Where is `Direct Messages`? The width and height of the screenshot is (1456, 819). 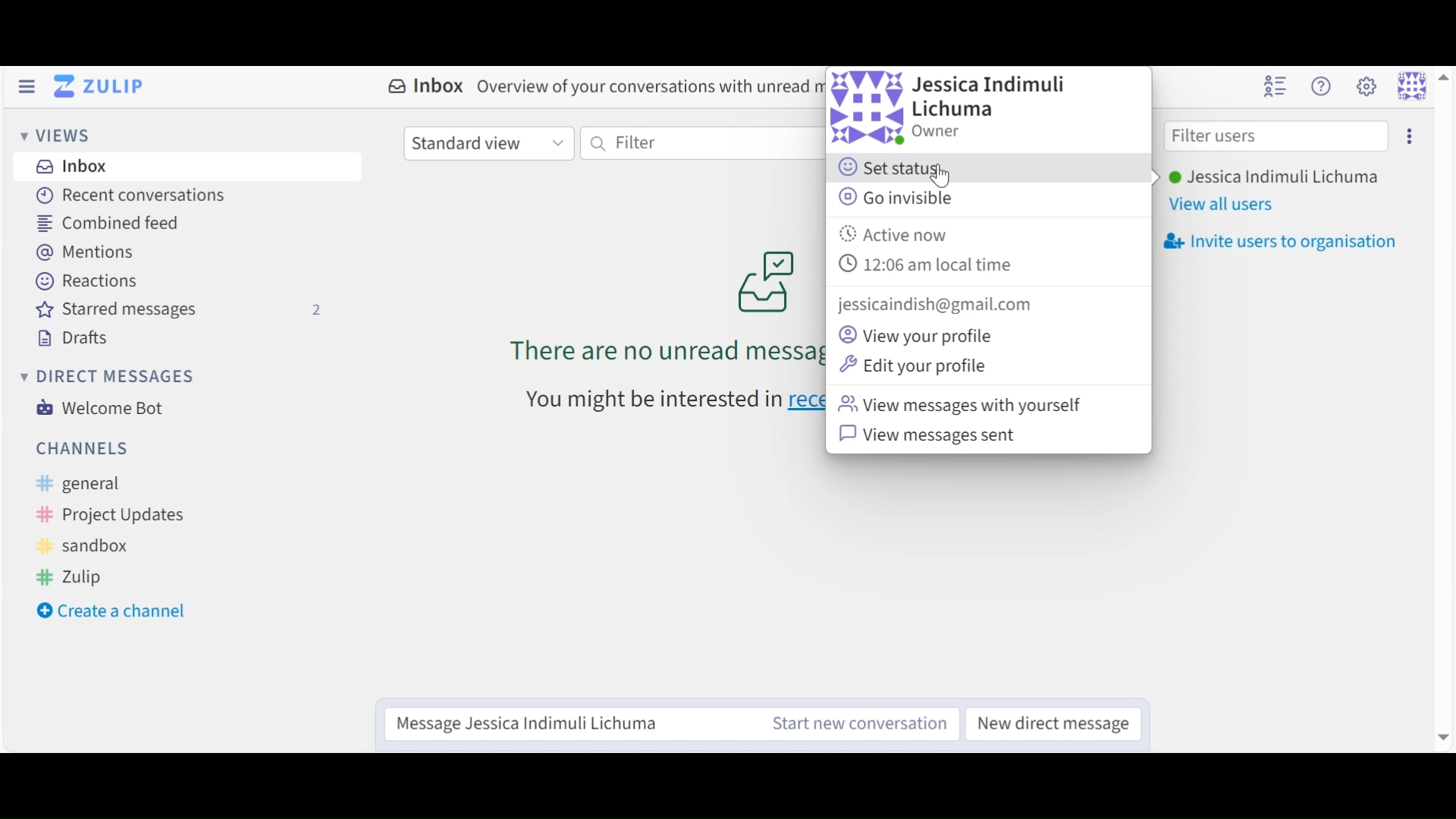
Direct Messages is located at coordinates (105, 377).